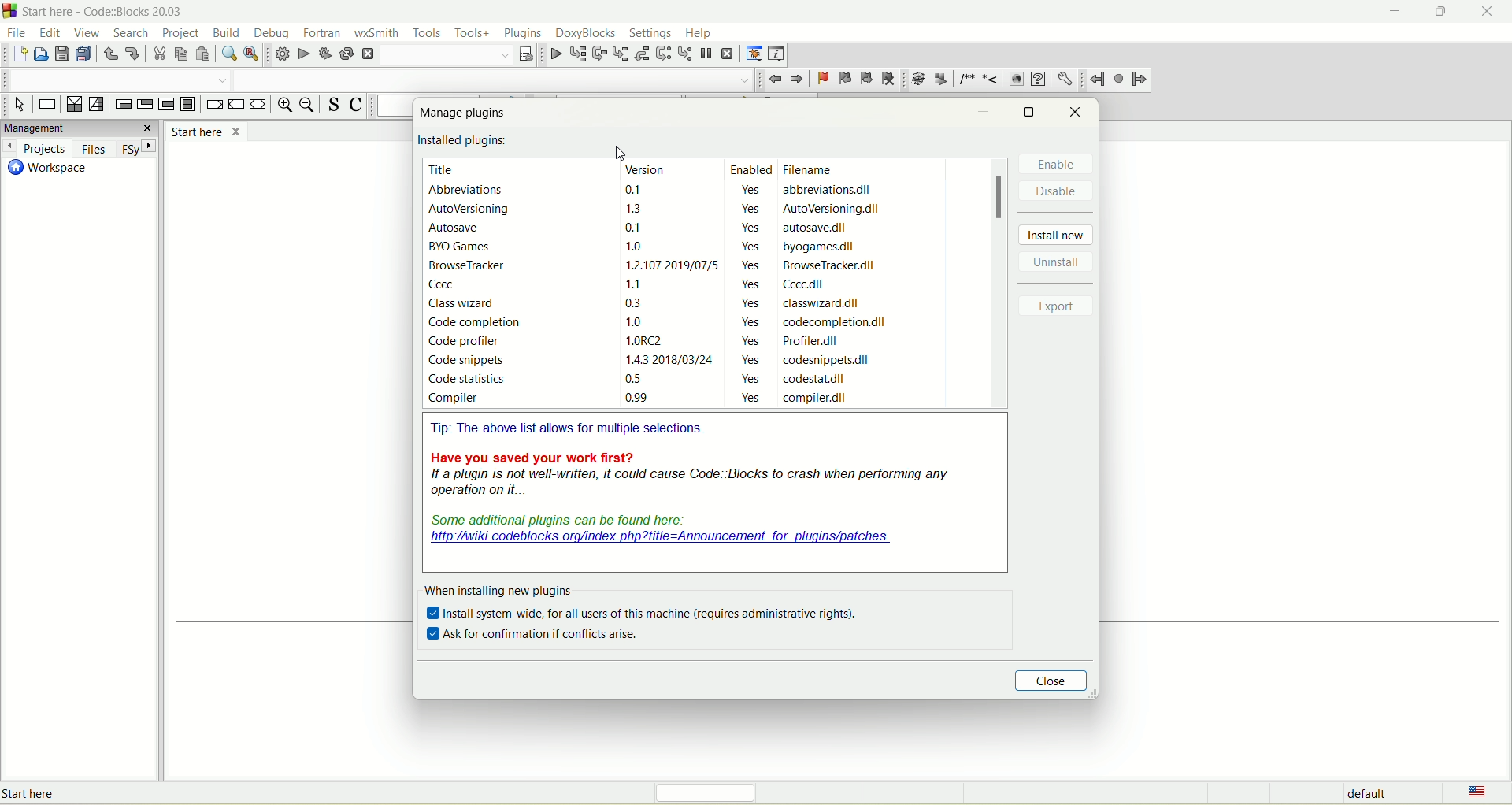 This screenshot has height=805, width=1512. What do you see at coordinates (35, 147) in the screenshot?
I see `projects` at bounding box center [35, 147].